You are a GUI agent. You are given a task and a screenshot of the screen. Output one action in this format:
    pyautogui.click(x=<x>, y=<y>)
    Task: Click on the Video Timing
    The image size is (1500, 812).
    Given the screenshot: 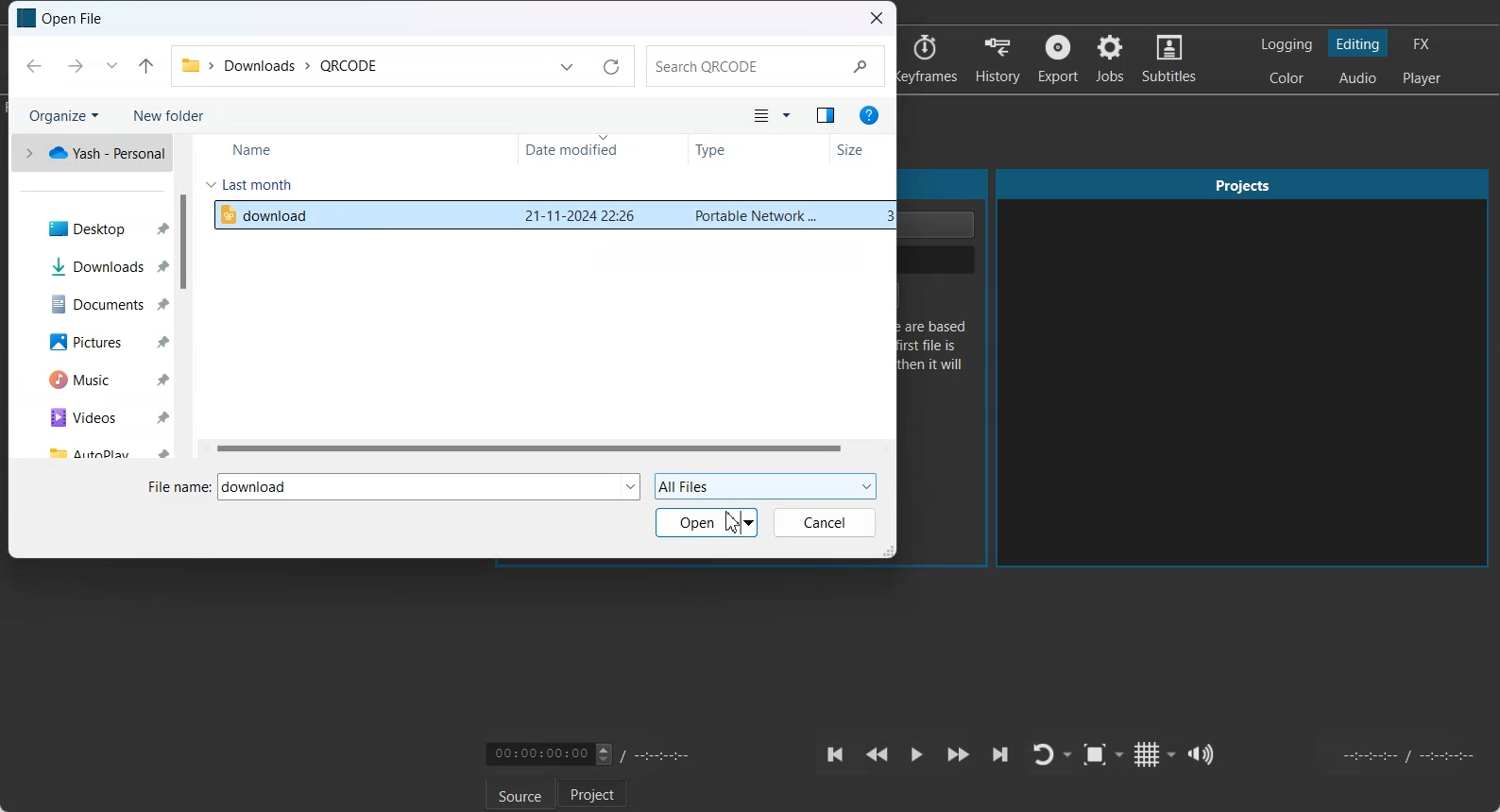 What is the action you would take?
    pyautogui.click(x=1398, y=755)
    